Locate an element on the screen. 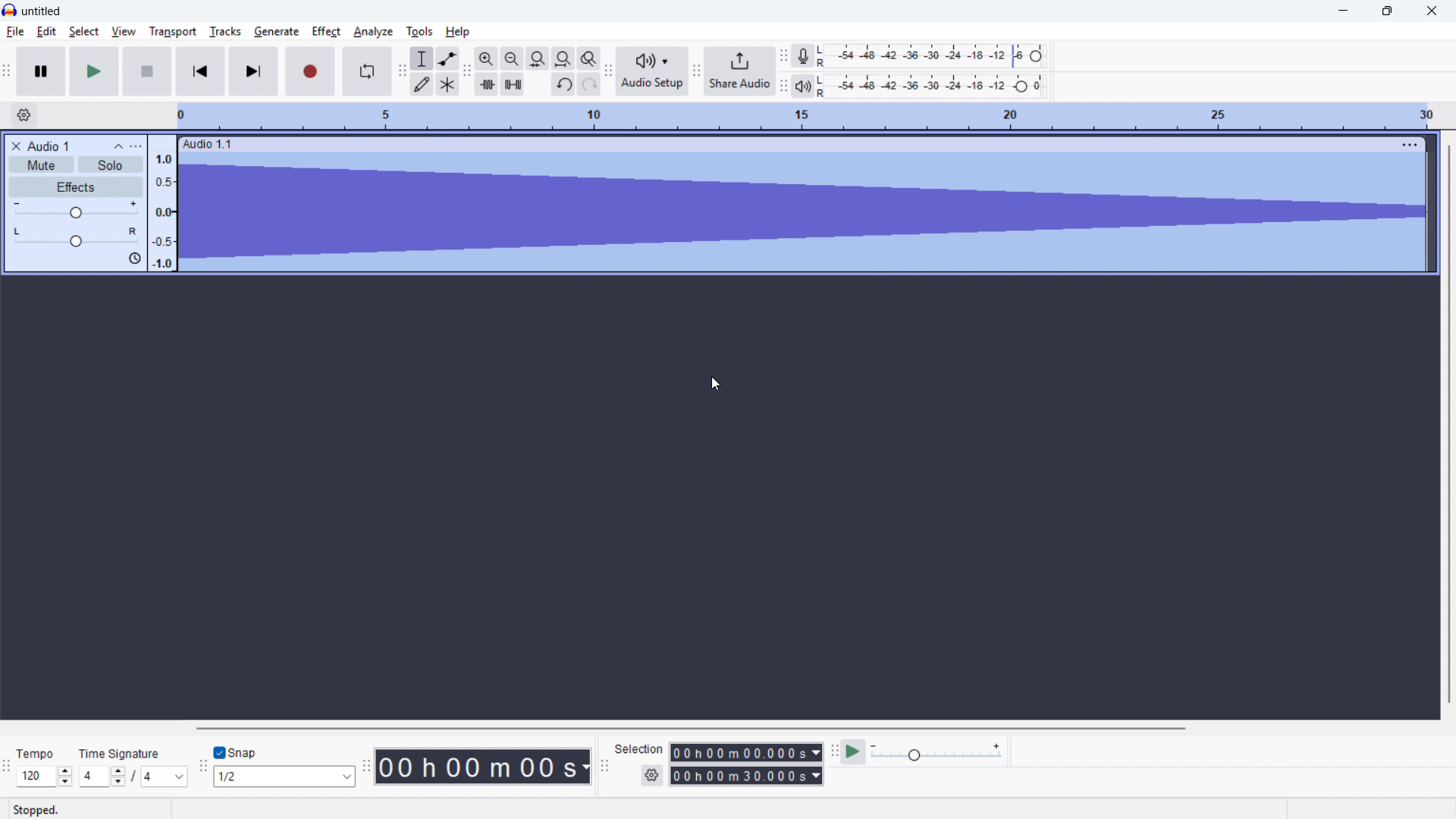 This screenshot has width=1456, height=819. Record  is located at coordinates (311, 71).